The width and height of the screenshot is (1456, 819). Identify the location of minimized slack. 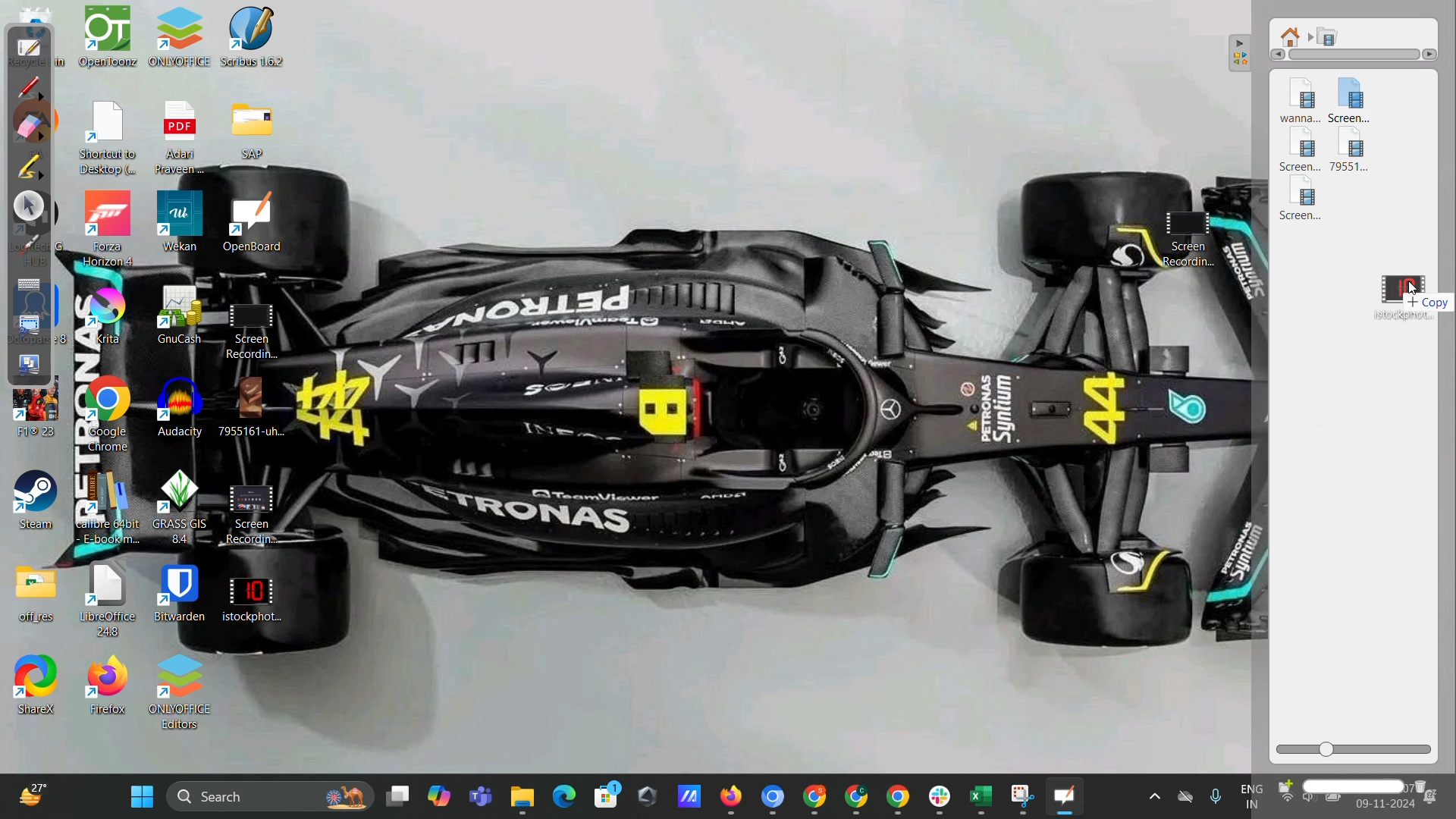
(941, 798).